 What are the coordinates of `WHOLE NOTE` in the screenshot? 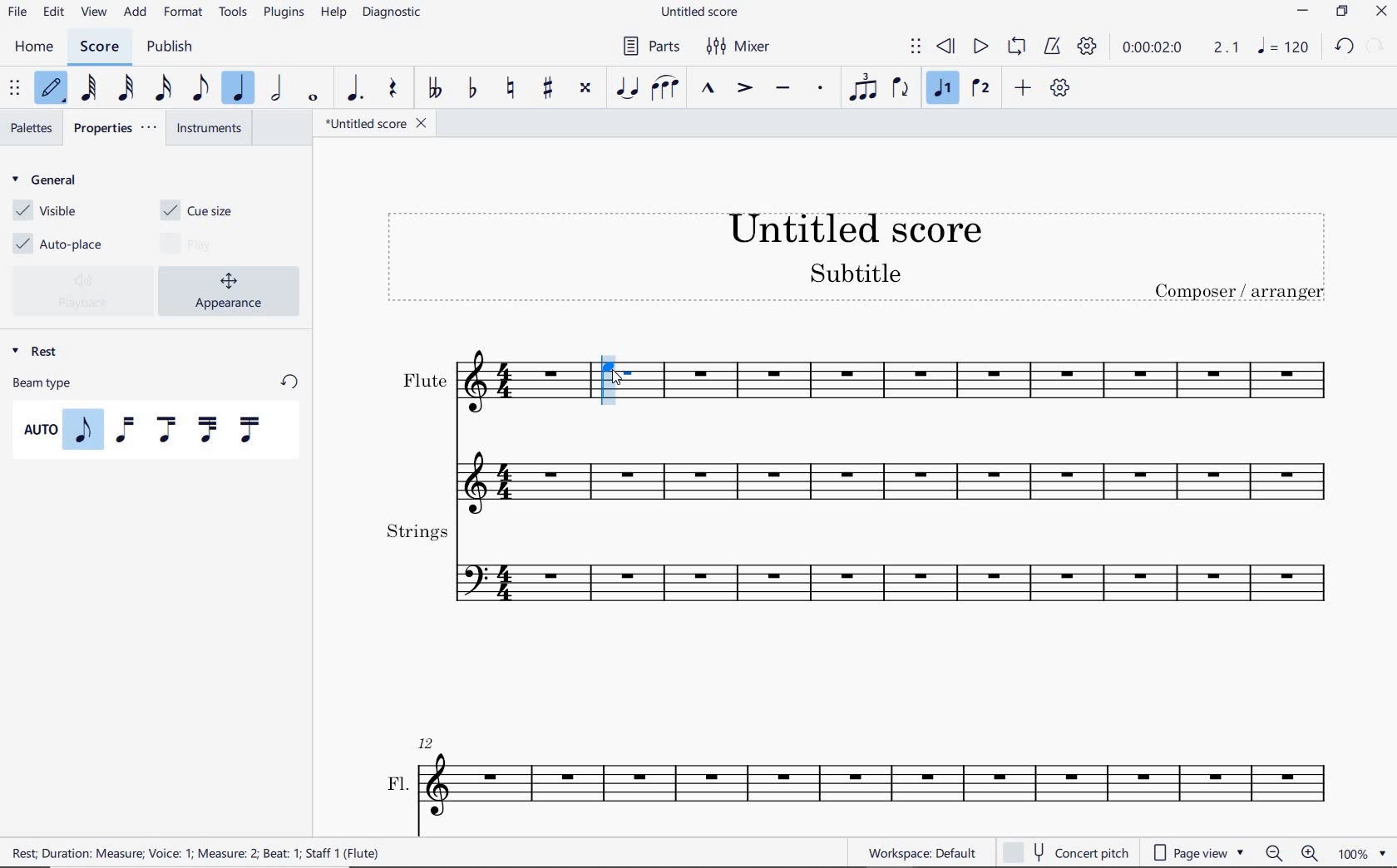 It's located at (313, 99).